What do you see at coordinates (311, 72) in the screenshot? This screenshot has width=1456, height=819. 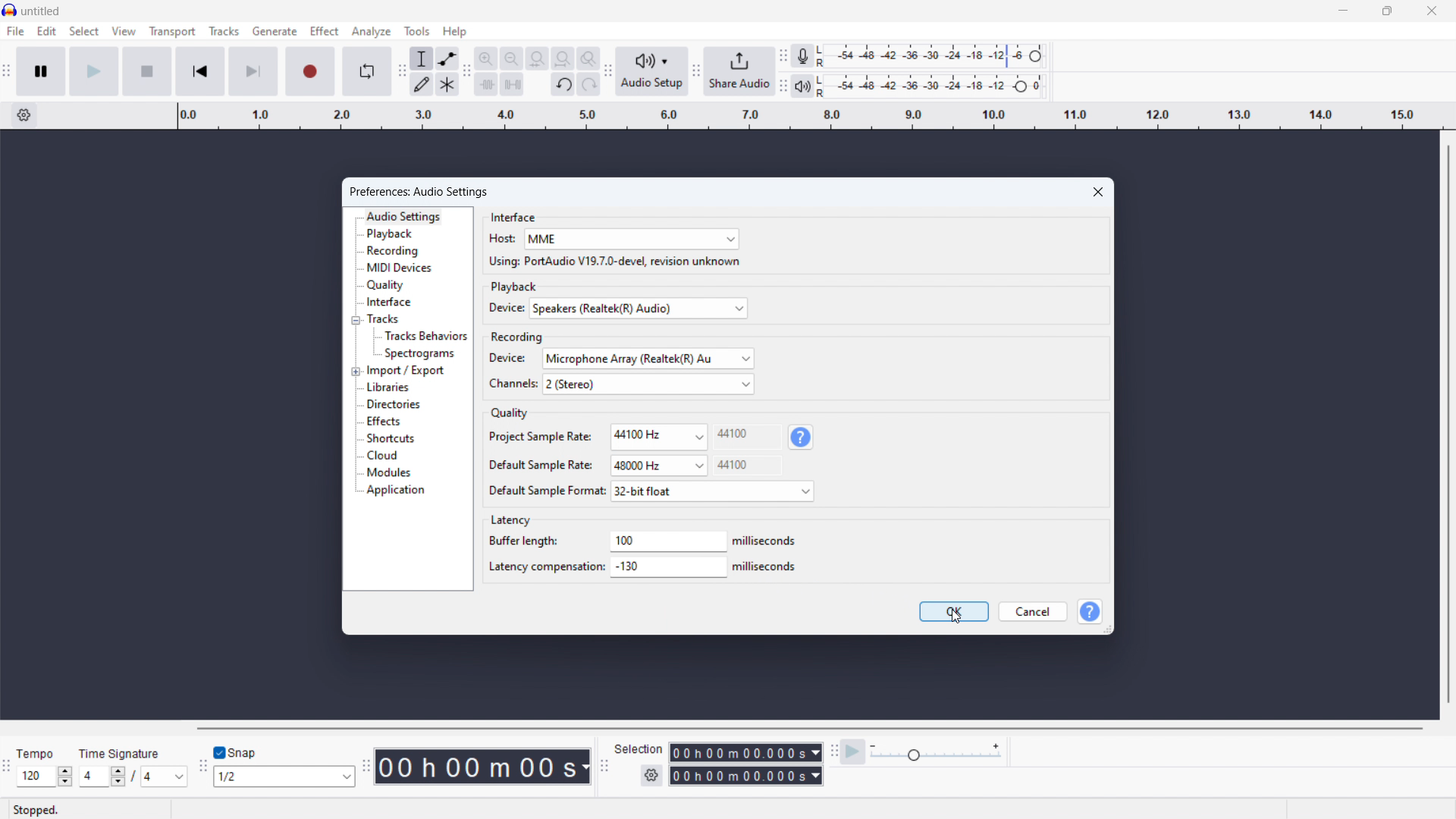 I see `record` at bounding box center [311, 72].